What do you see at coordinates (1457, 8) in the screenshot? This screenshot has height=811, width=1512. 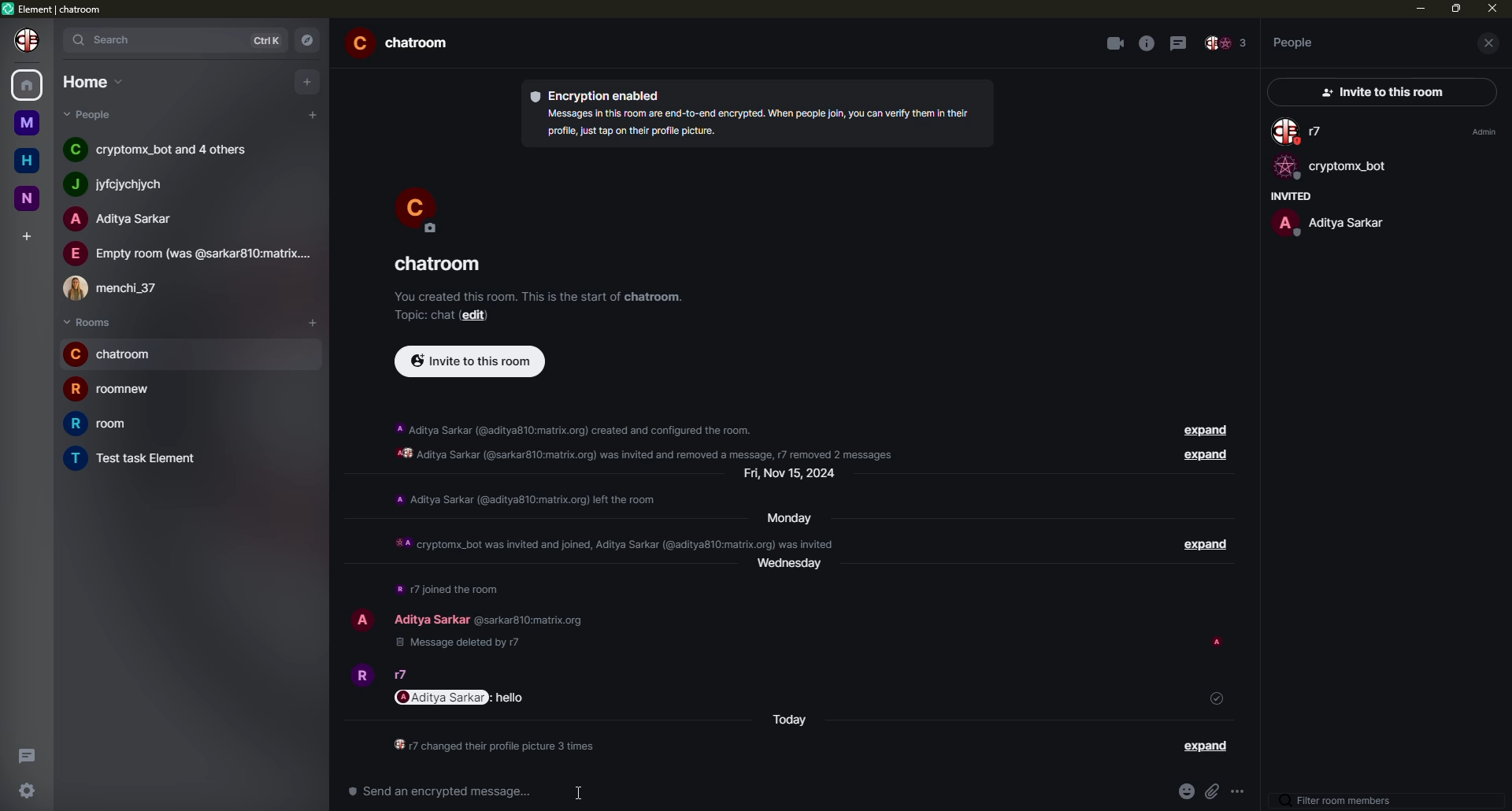 I see `max` at bounding box center [1457, 8].